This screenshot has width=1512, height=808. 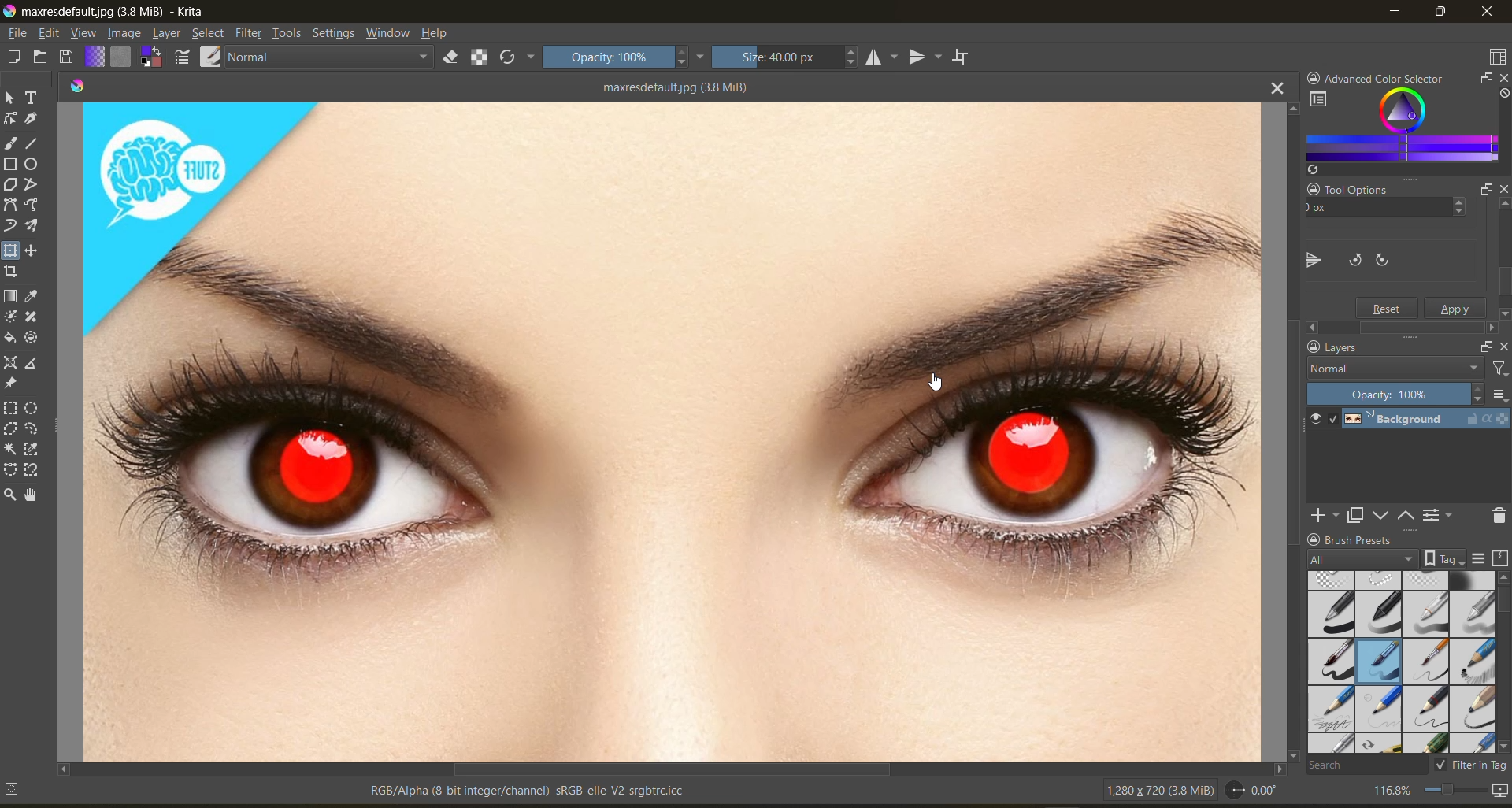 What do you see at coordinates (1501, 77) in the screenshot?
I see `close docker` at bounding box center [1501, 77].